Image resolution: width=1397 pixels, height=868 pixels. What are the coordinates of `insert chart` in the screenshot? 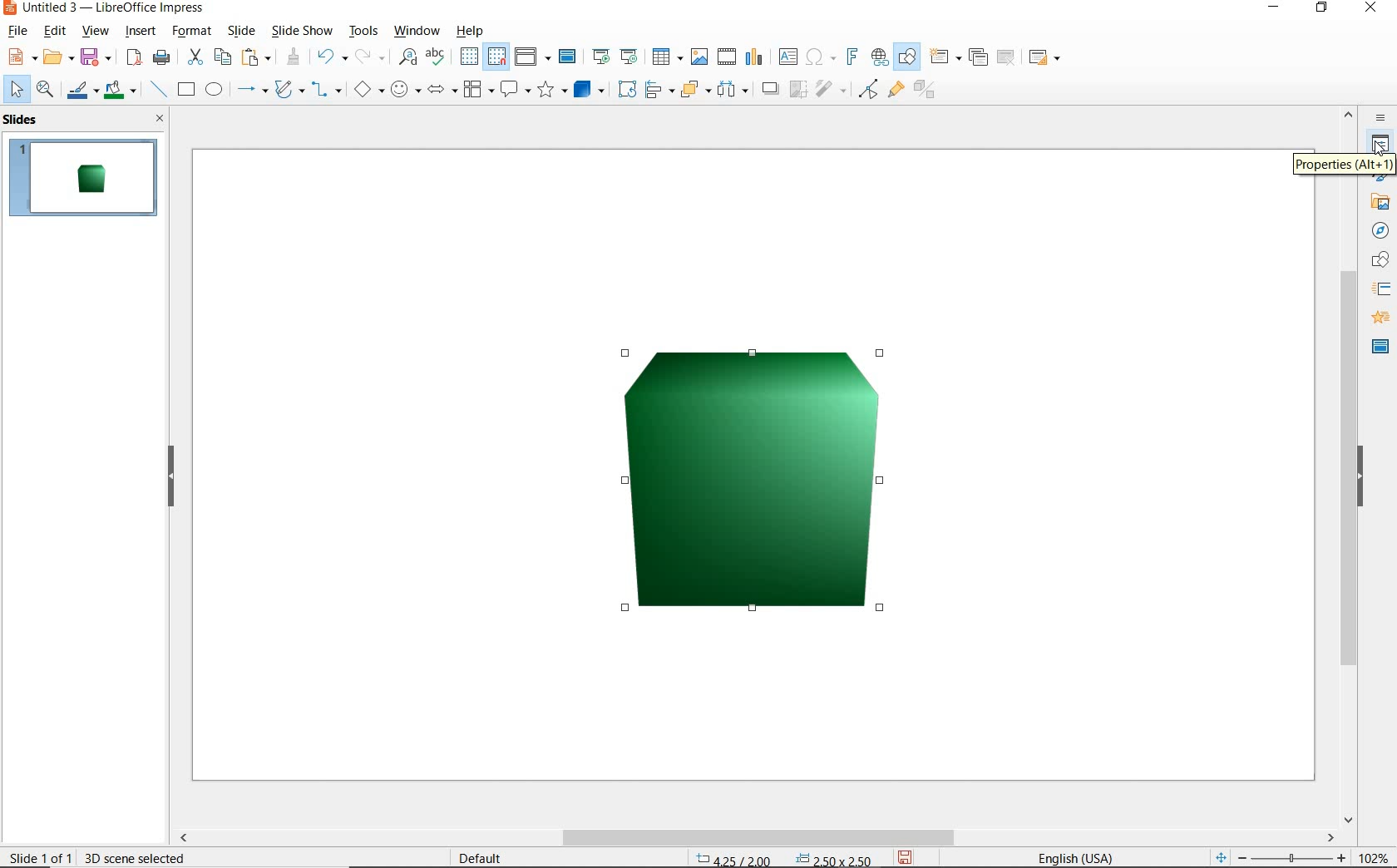 It's located at (753, 57).